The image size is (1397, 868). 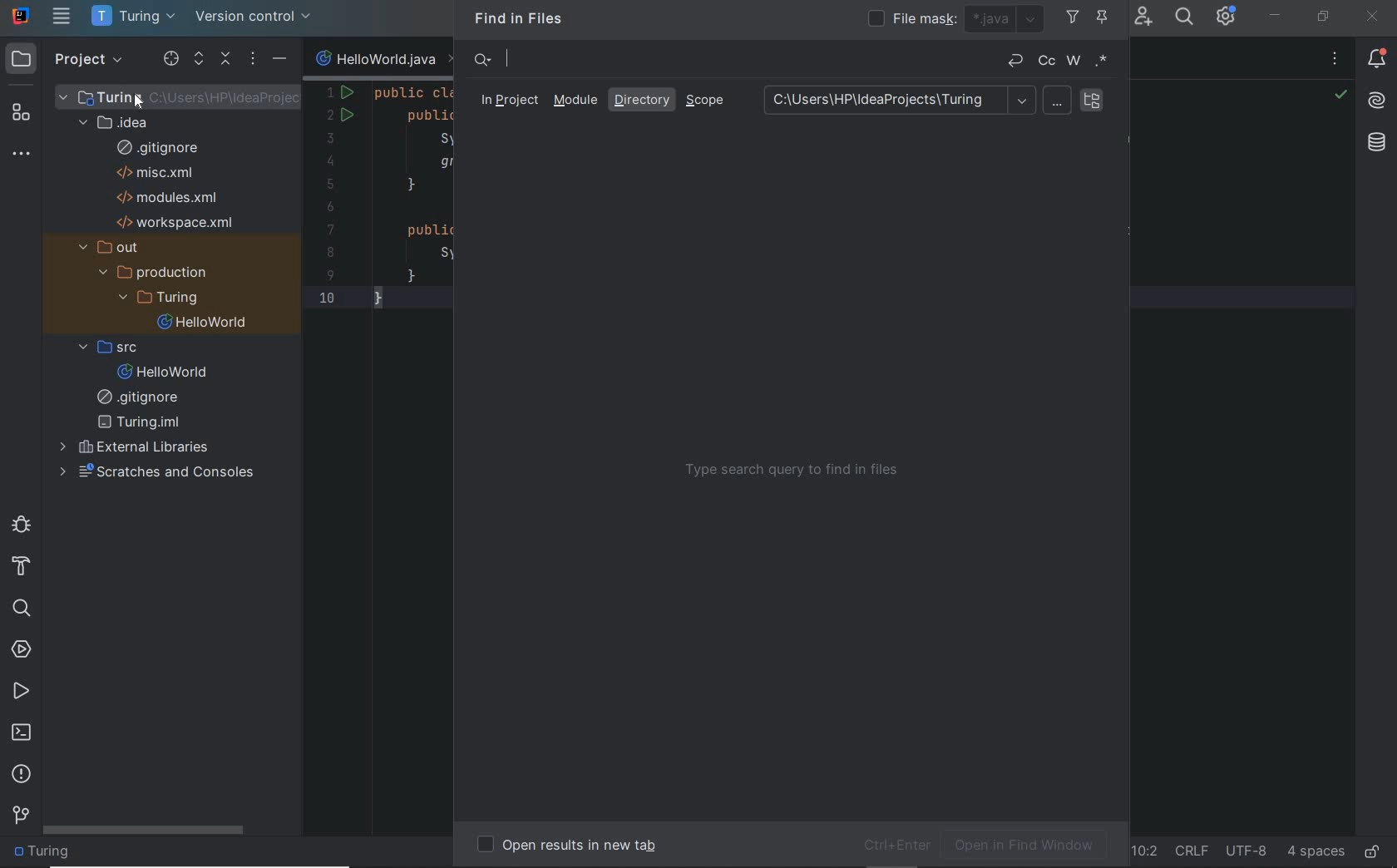 What do you see at coordinates (505, 101) in the screenshot?
I see `In project` at bounding box center [505, 101].